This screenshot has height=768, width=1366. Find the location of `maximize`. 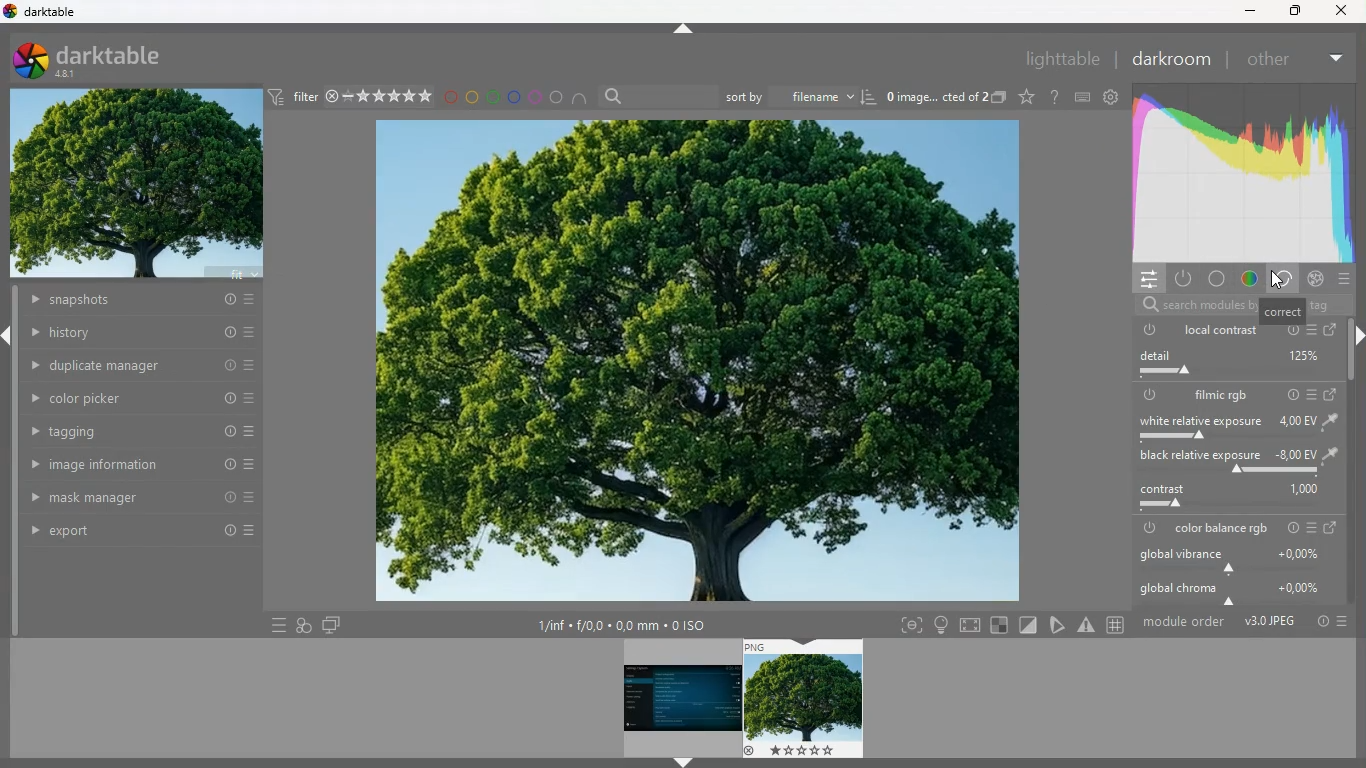

maximize is located at coordinates (1293, 11).